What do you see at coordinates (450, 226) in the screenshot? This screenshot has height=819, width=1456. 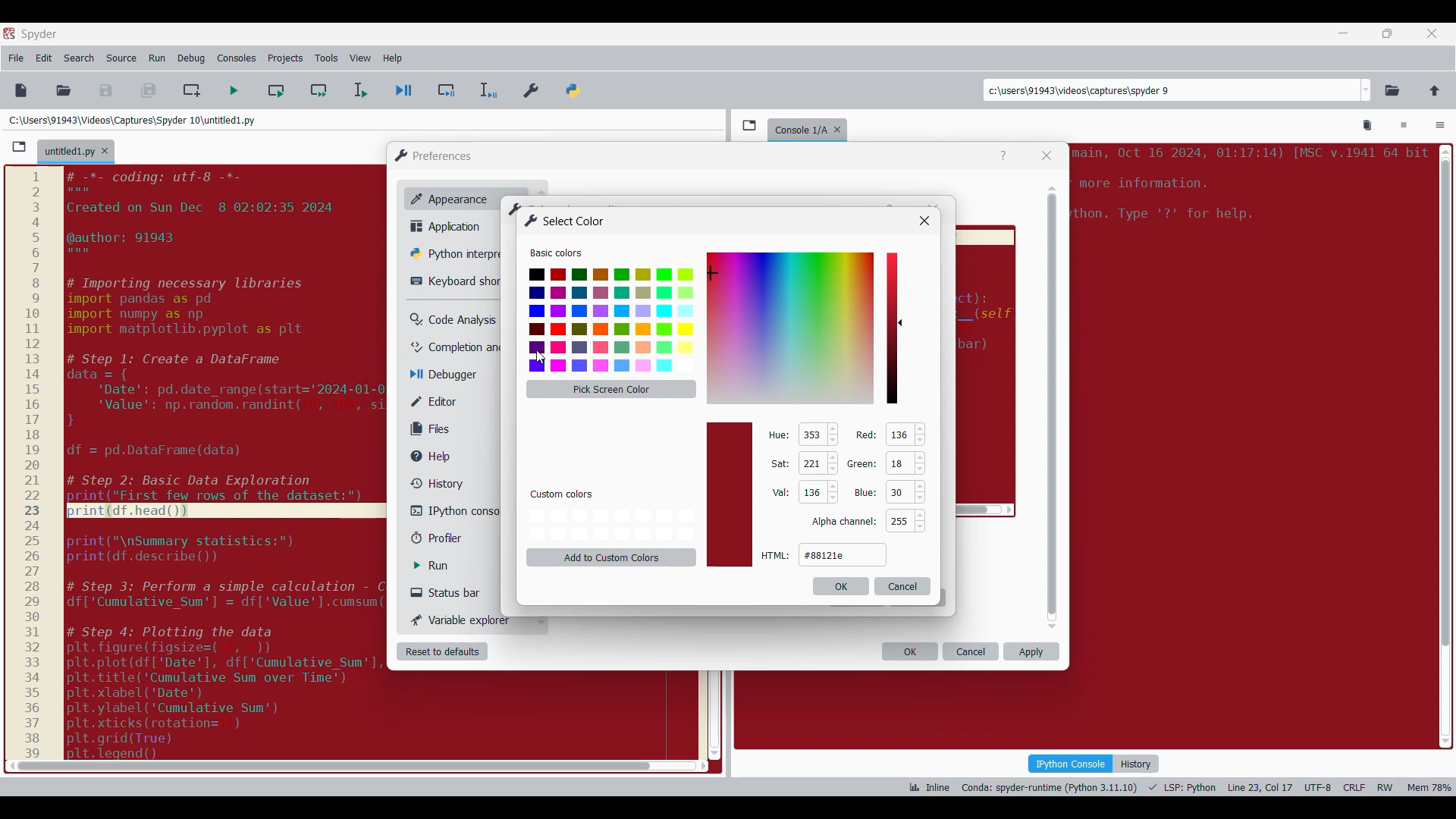 I see `Application` at bounding box center [450, 226].